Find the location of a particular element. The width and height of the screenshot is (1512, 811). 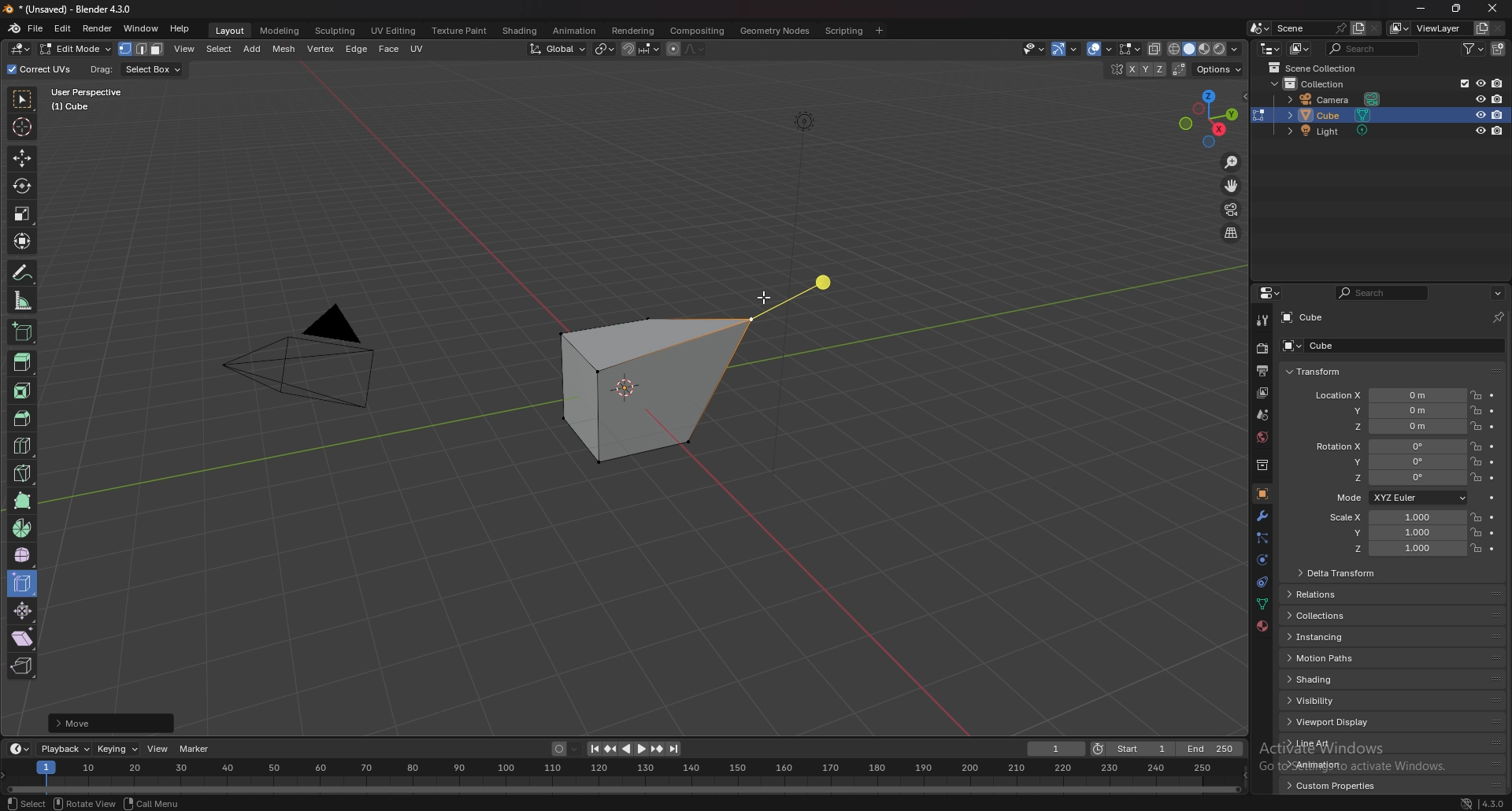

selectibility and visibility is located at coordinates (1058, 50).